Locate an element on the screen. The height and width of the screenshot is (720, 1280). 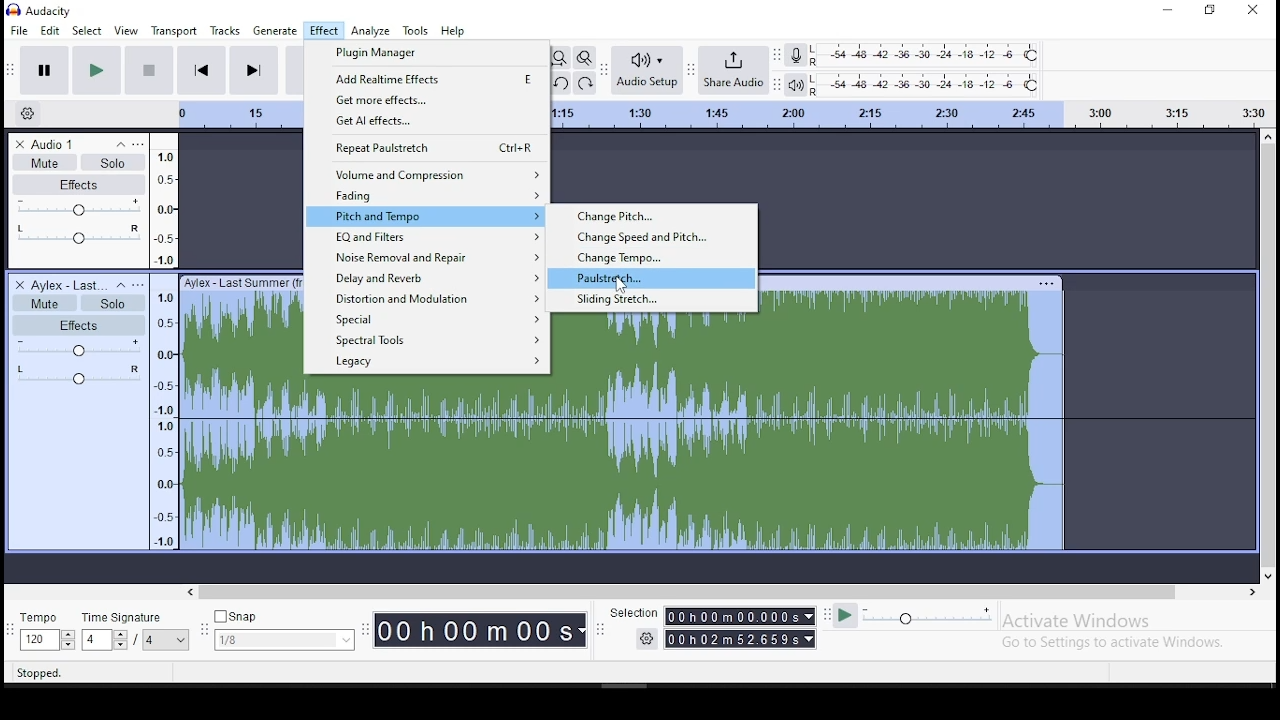
sliding stretch is located at coordinates (652, 301).